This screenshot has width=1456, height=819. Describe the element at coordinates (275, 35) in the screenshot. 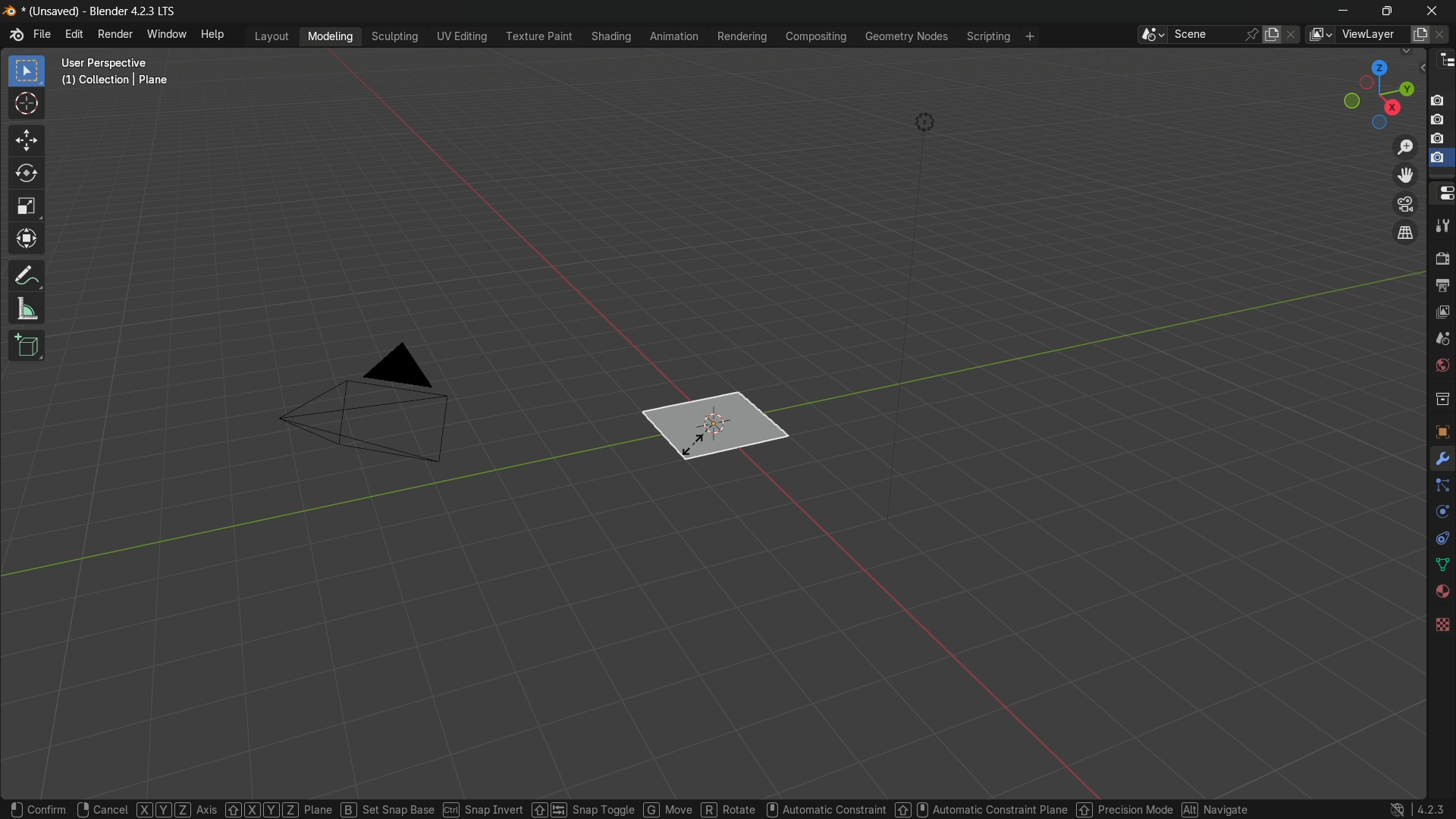

I see `layout` at that location.